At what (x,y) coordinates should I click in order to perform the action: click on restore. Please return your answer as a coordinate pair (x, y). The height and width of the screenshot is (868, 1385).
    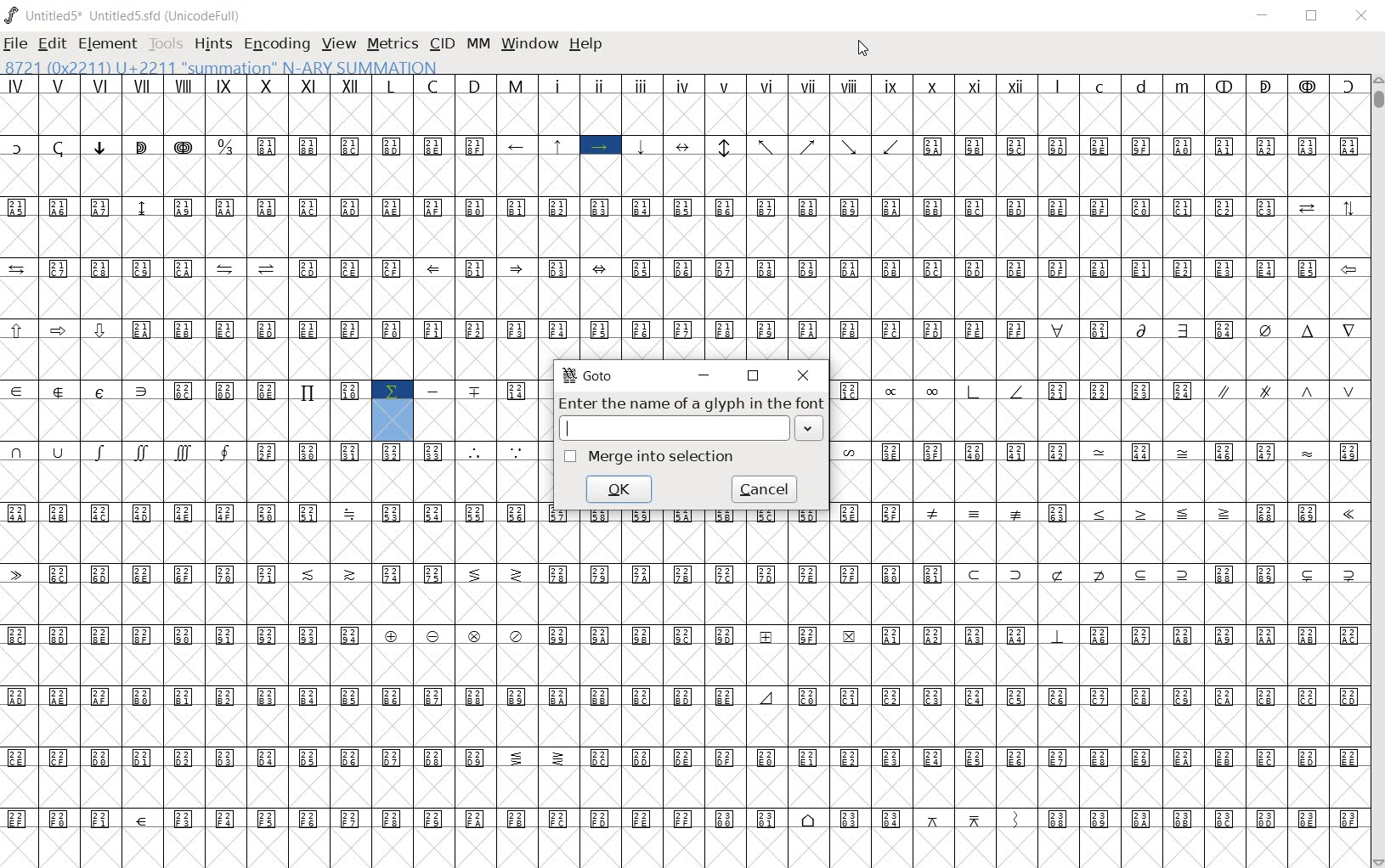
    Looking at the image, I should click on (755, 377).